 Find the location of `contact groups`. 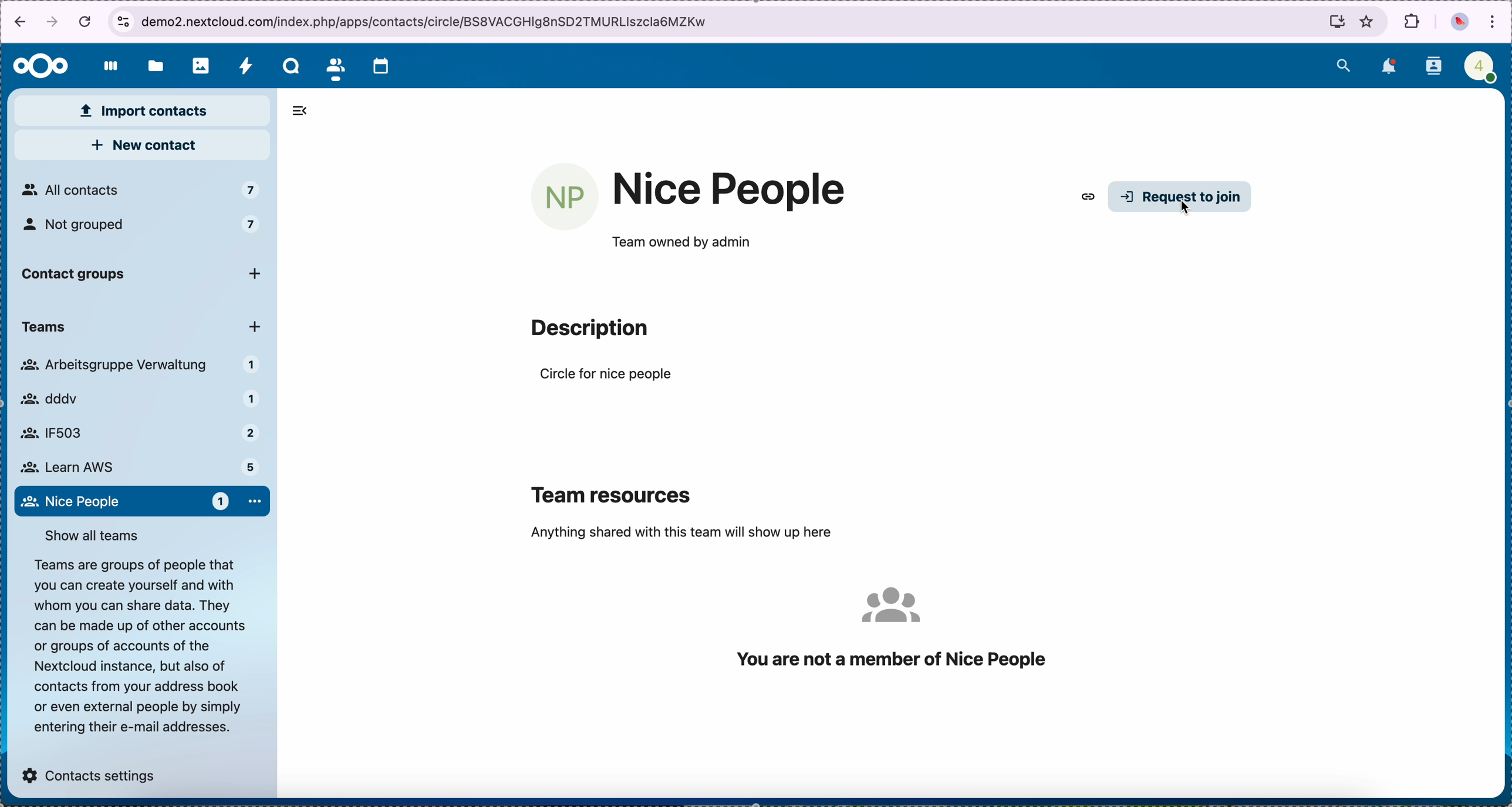

contact groups is located at coordinates (144, 276).